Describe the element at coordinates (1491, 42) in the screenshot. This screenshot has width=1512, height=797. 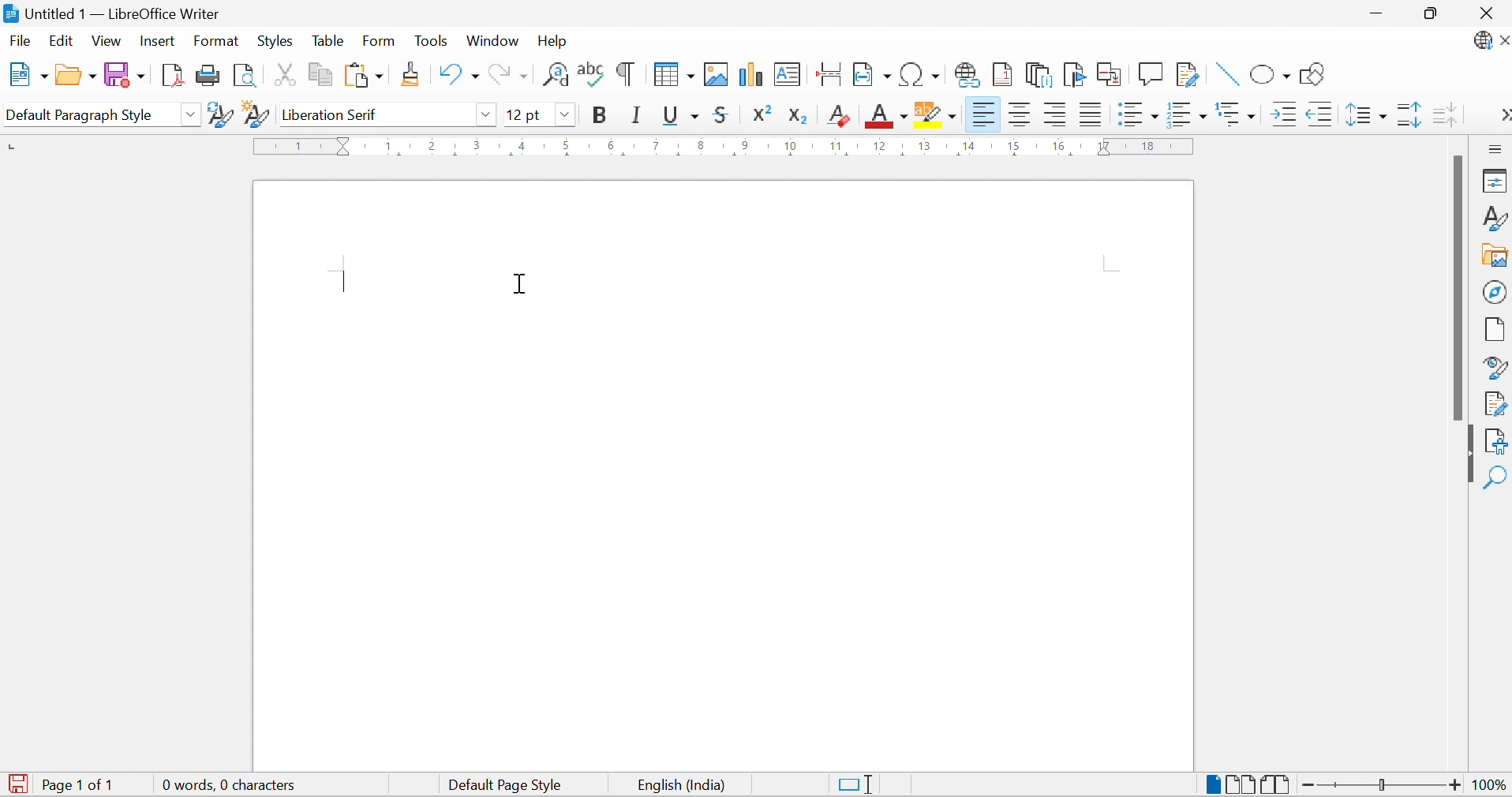
I see `LibreOffice Update Available` at that location.